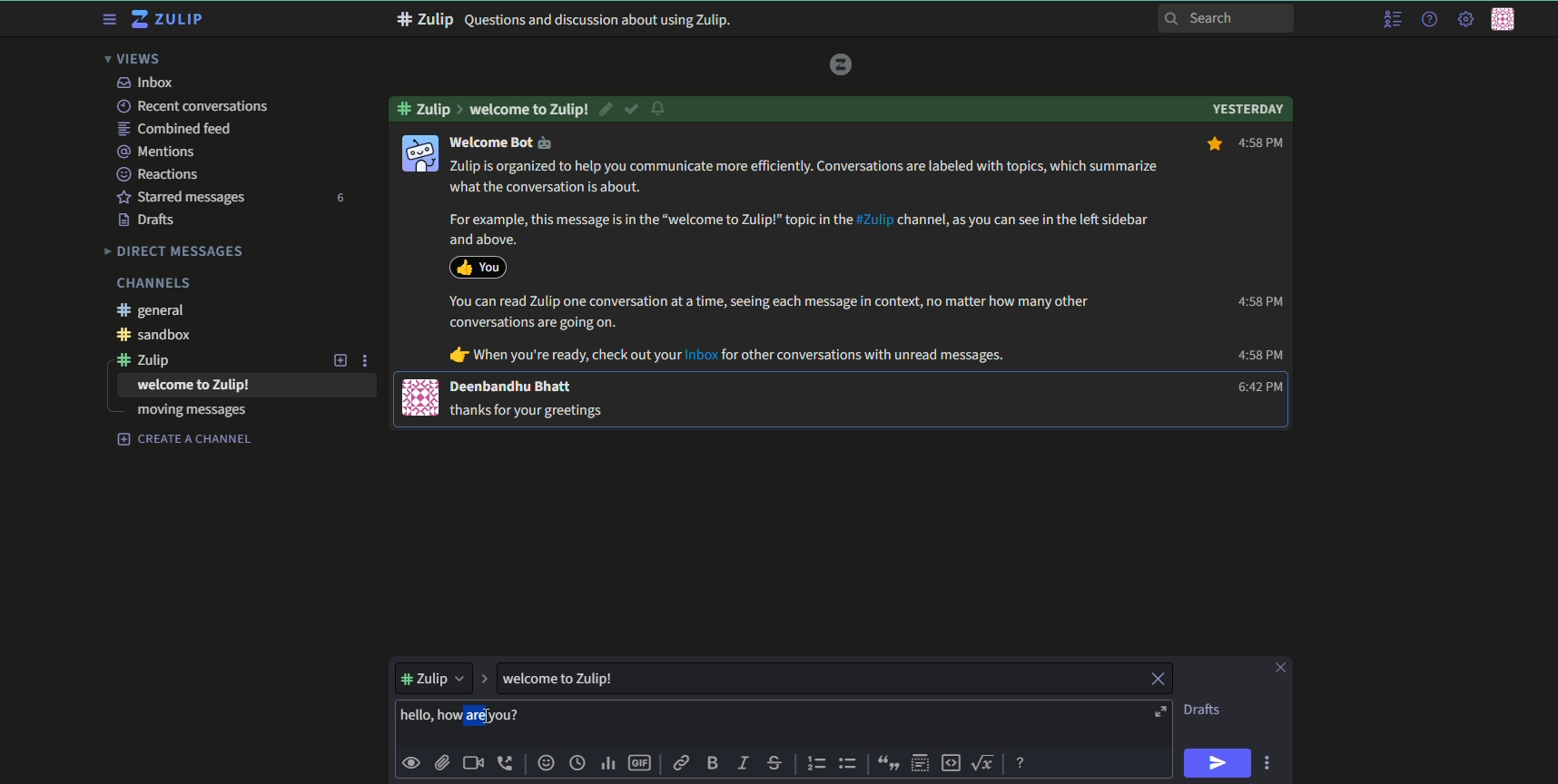 The width and height of the screenshot is (1558, 784). I want to click on title and logo, so click(170, 20).